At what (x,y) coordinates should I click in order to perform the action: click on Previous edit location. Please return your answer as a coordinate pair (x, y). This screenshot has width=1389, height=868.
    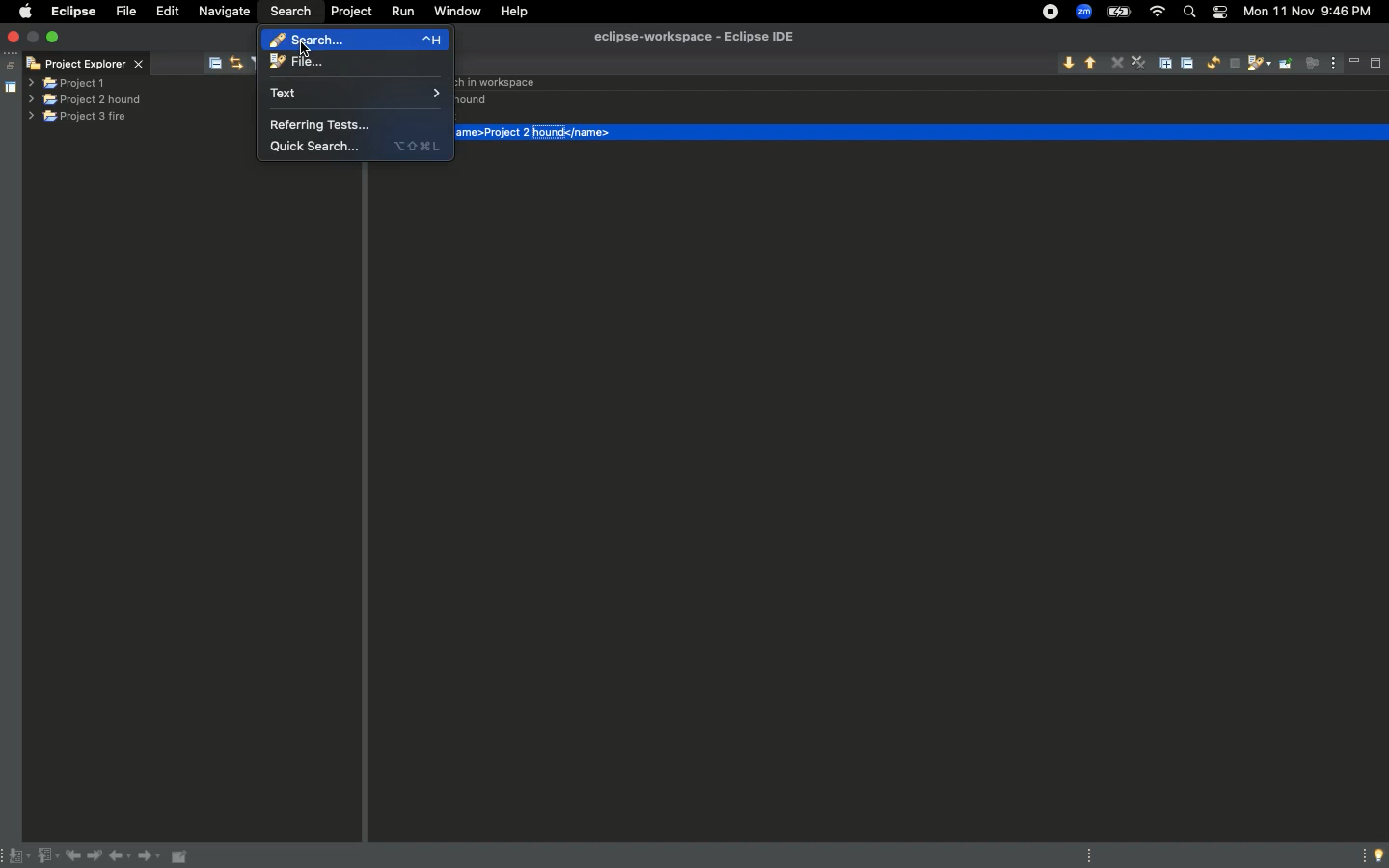
    Looking at the image, I should click on (76, 856).